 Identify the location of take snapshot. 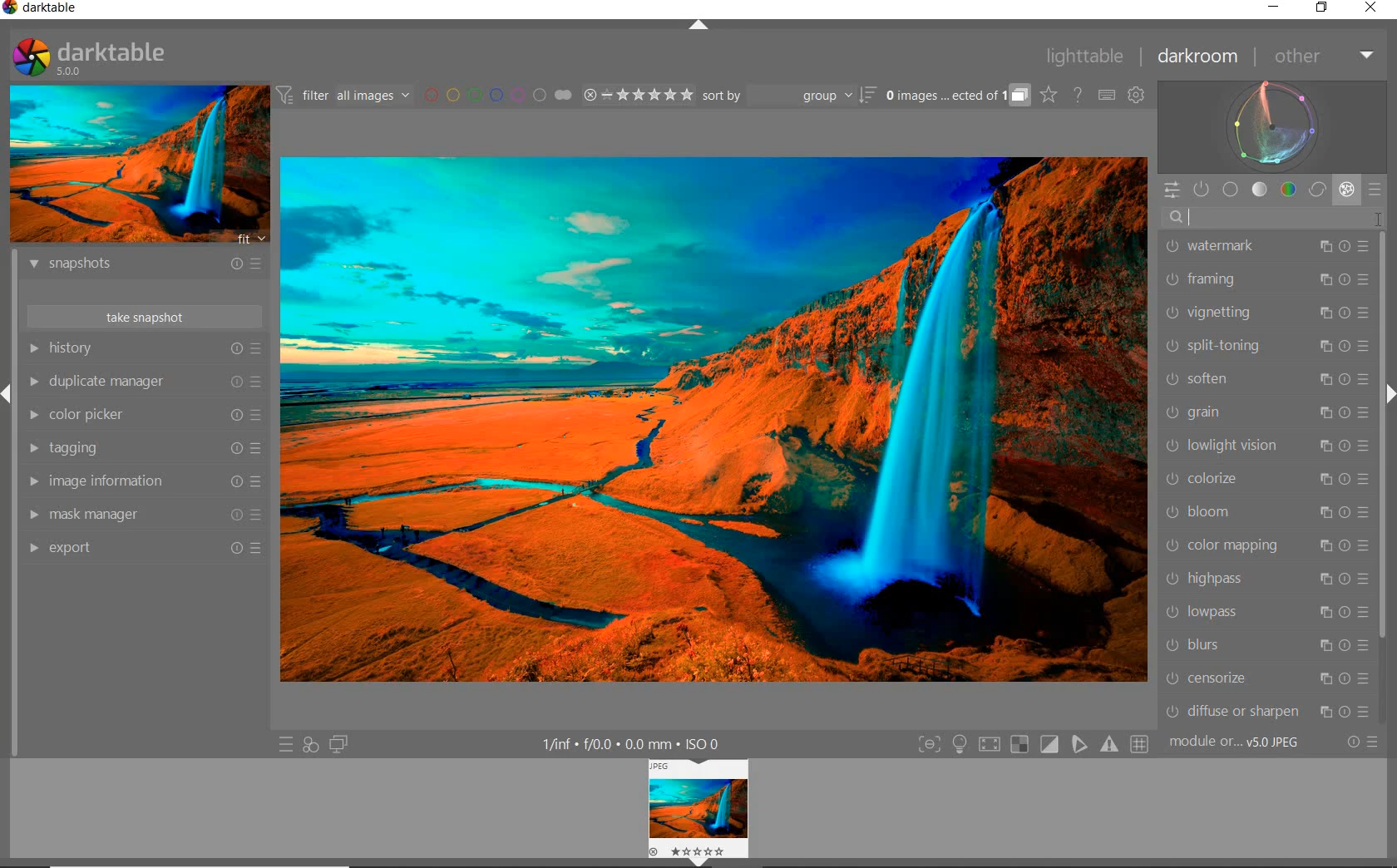
(144, 315).